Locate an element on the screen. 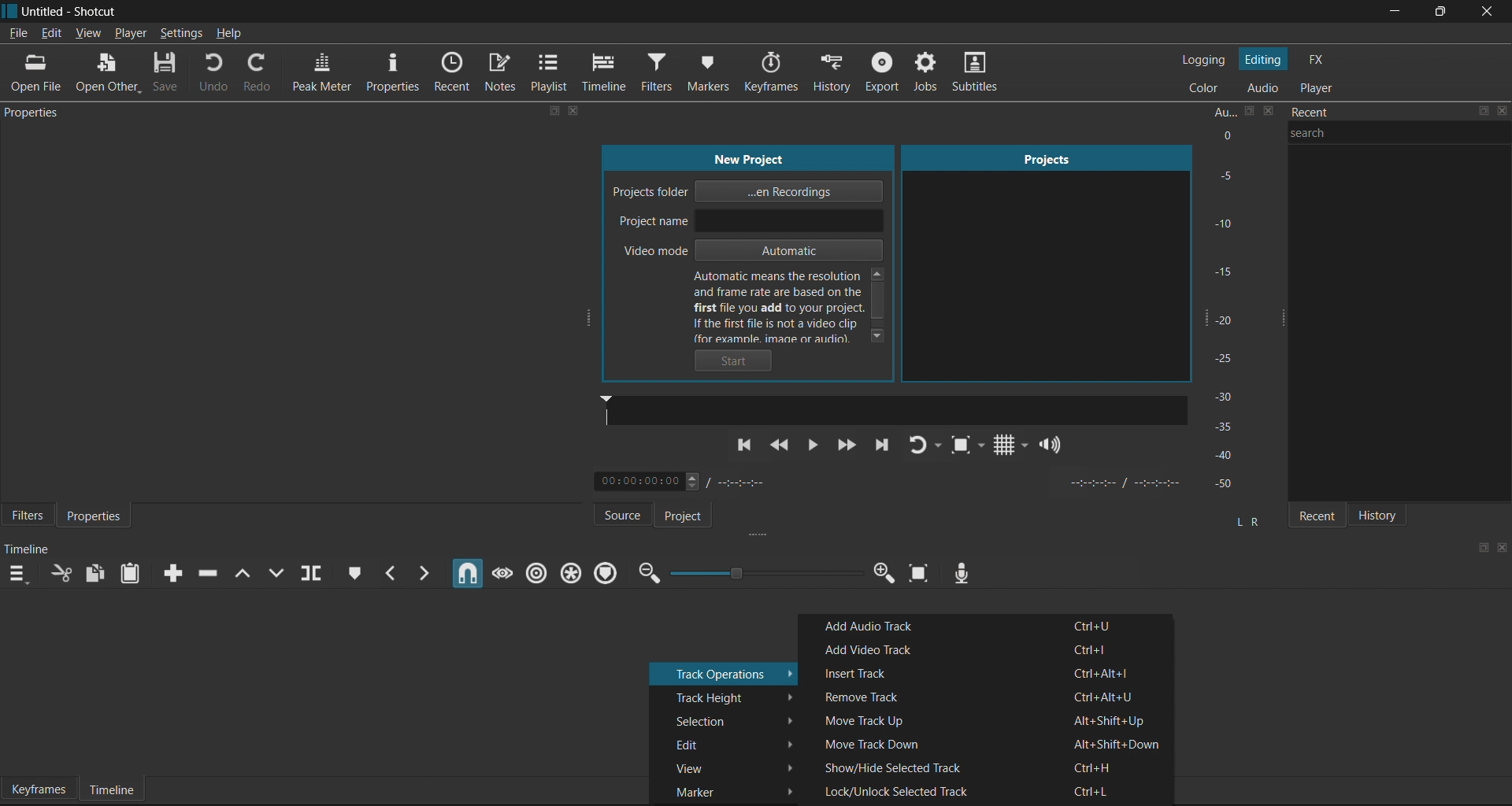 The width and height of the screenshot is (1512, 806). search is located at coordinates (1403, 142).